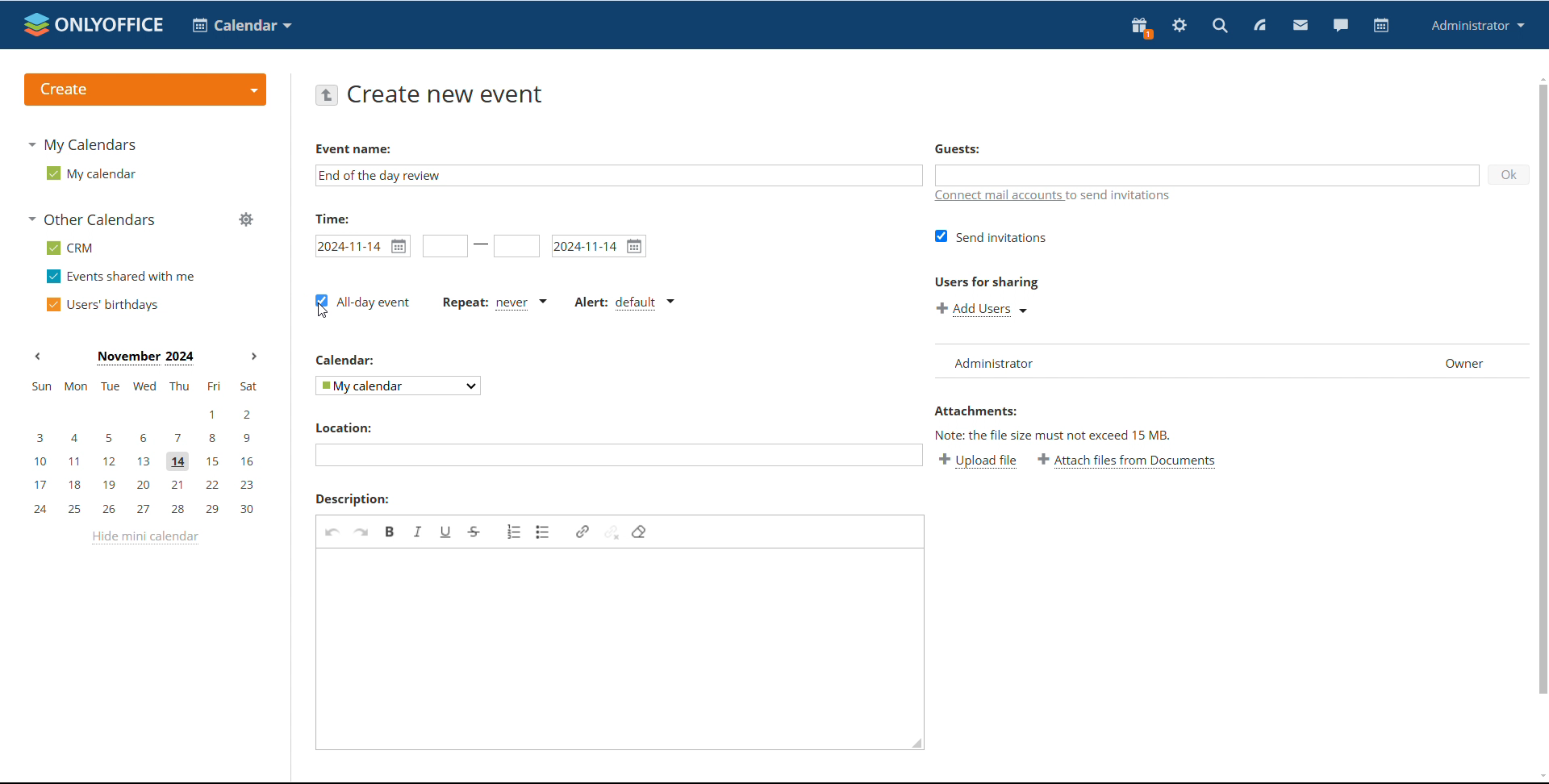 The image size is (1549, 784). Describe the element at coordinates (1543, 389) in the screenshot. I see `scrollbar` at that location.